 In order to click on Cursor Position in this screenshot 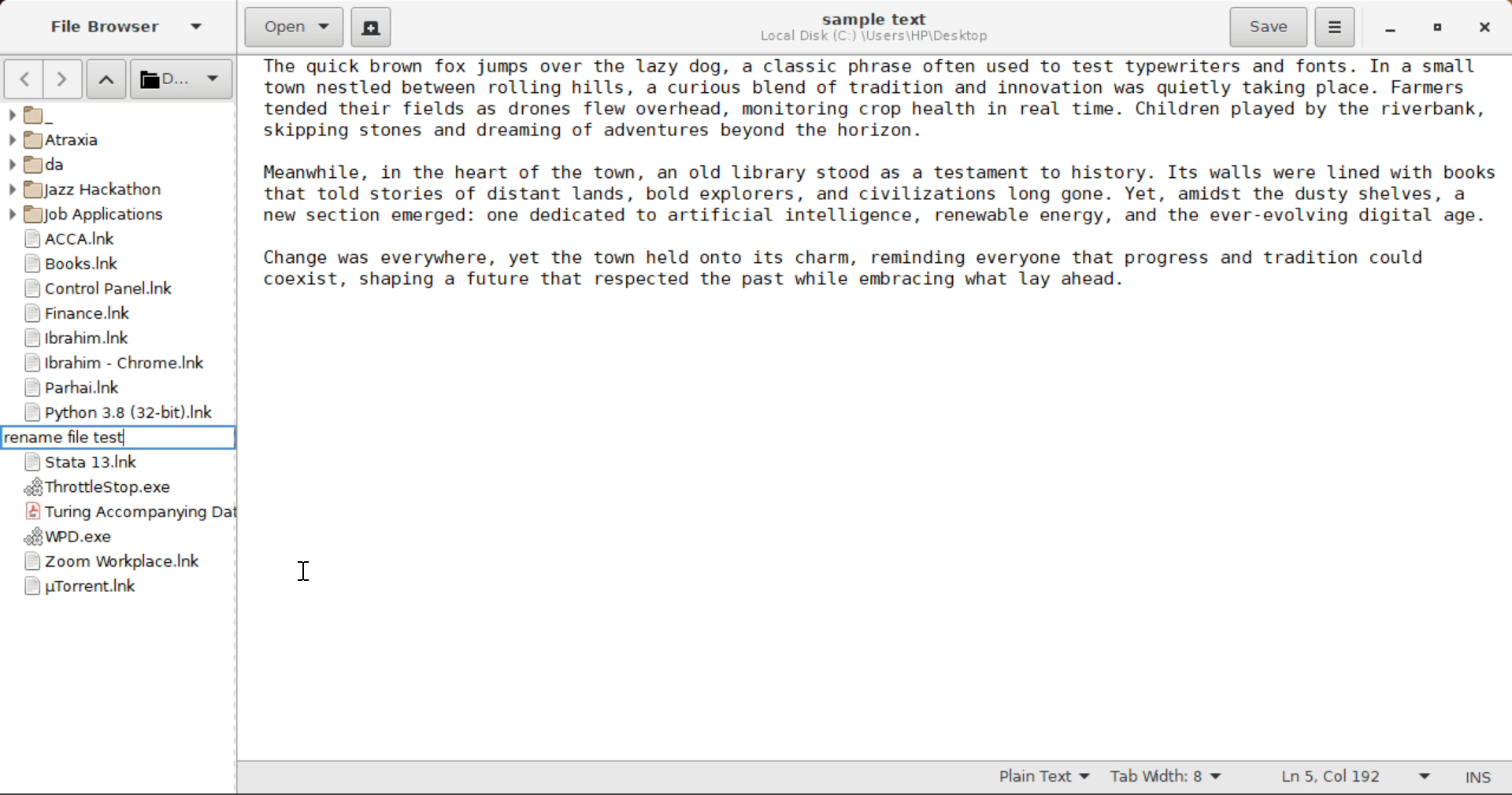, I will do `click(308, 571)`.